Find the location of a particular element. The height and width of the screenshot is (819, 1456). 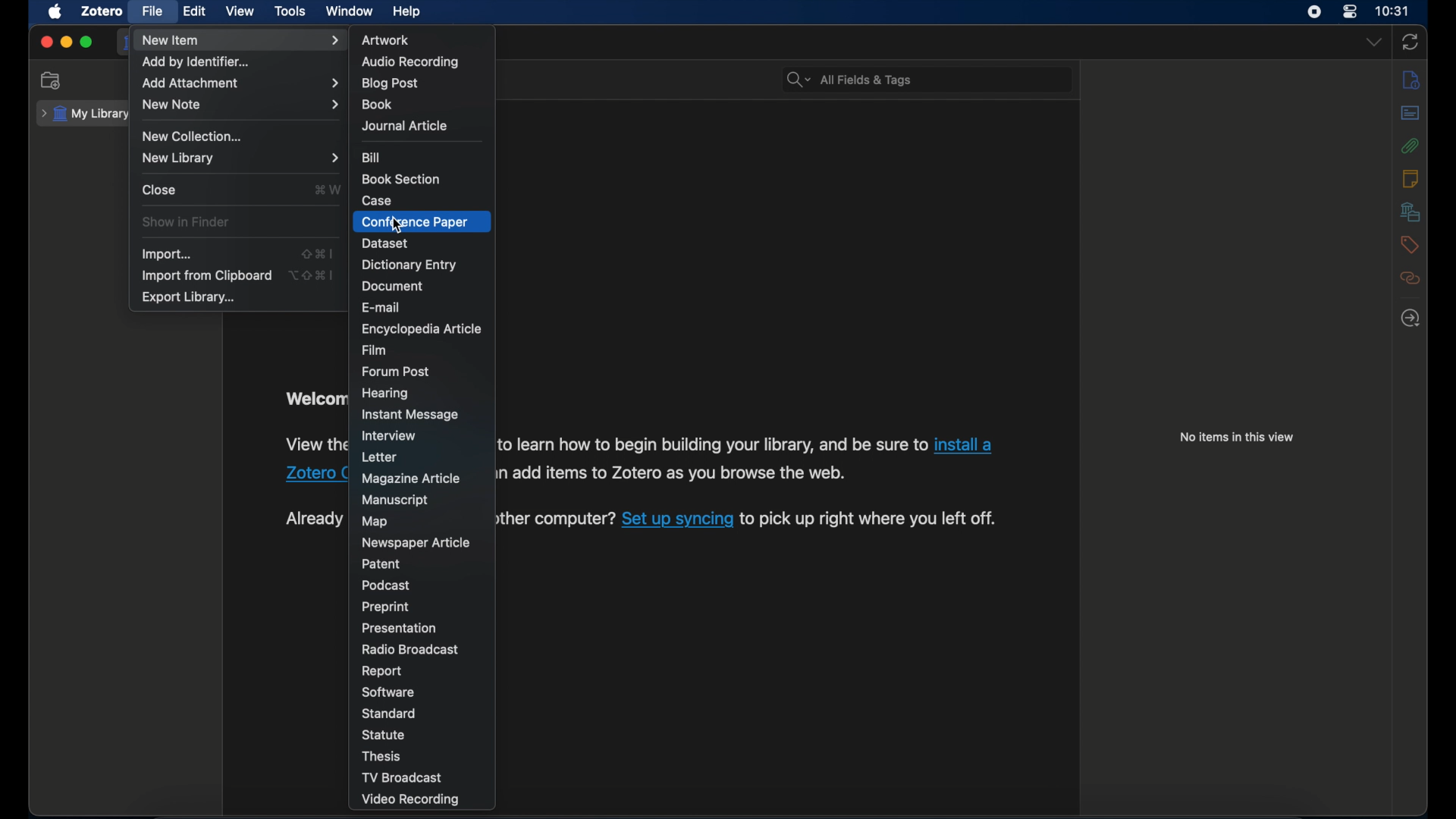

tools is located at coordinates (290, 11).